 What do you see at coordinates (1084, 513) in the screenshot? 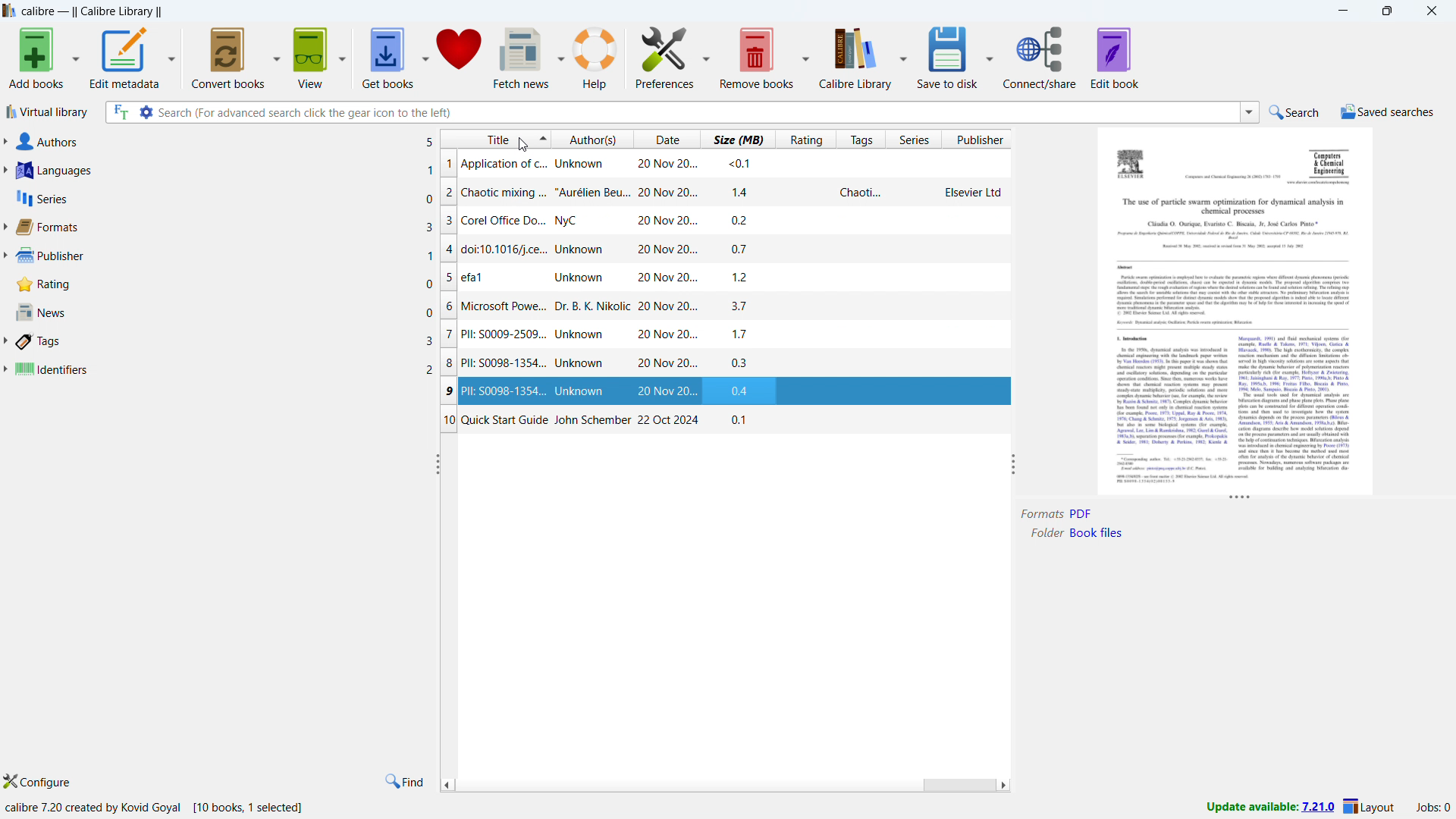
I see `PDF` at bounding box center [1084, 513].